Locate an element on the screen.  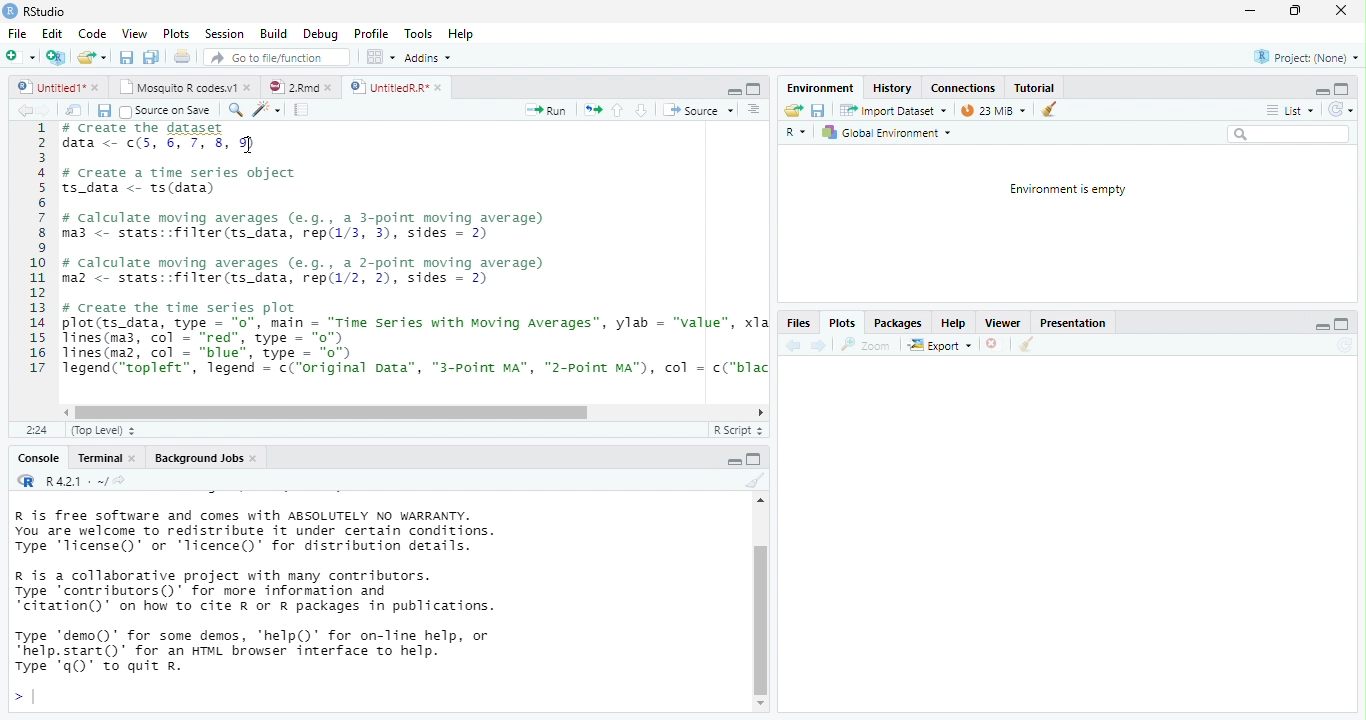
minimize is located at coordinates (1323, 329).